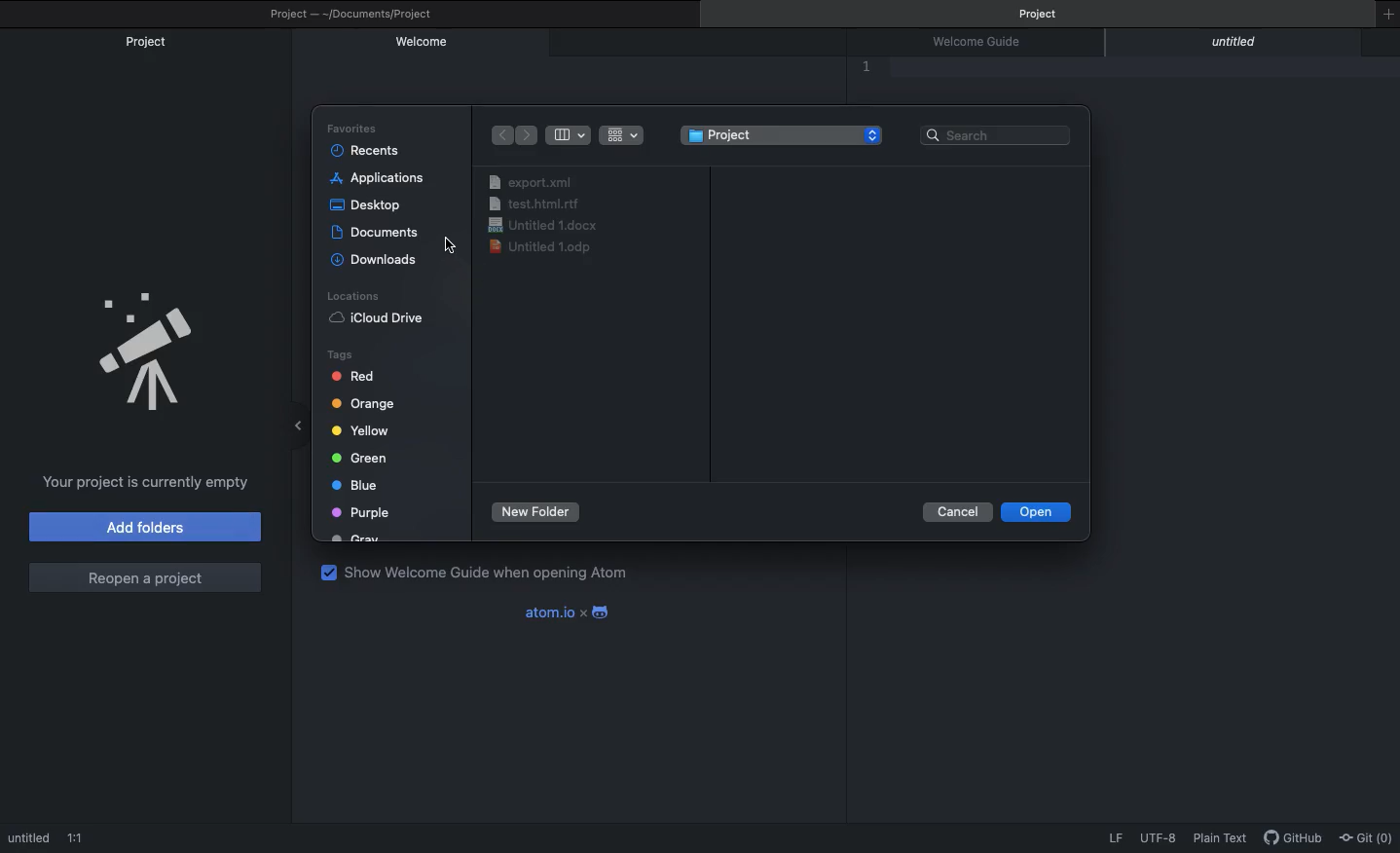 This screenshot has height=853, width=1400. Describe the element at coordinates (29, 836) in the screenshot. I see `Untitled` at that location.